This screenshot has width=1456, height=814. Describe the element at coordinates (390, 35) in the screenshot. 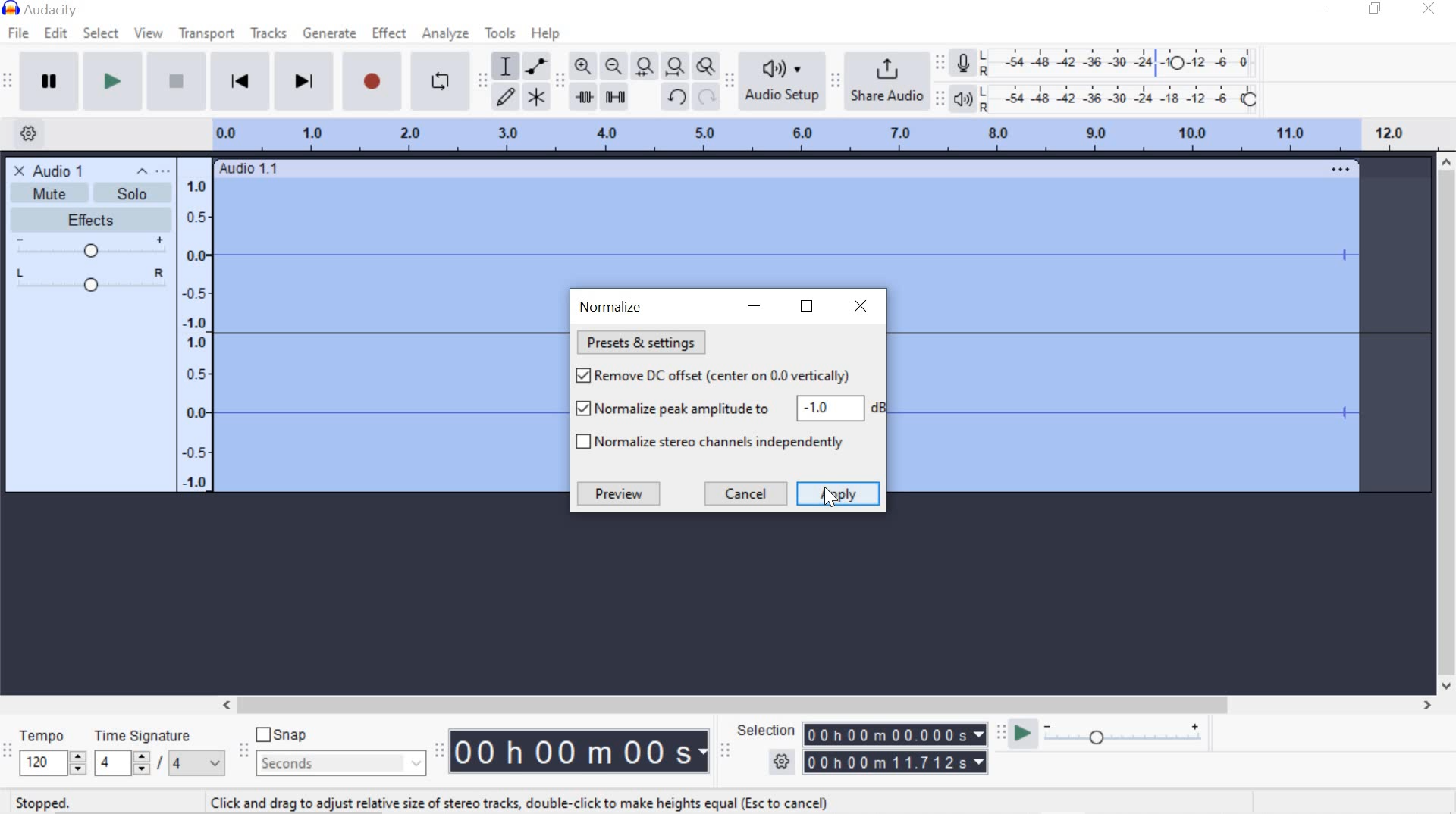

I see `effect` at that location.